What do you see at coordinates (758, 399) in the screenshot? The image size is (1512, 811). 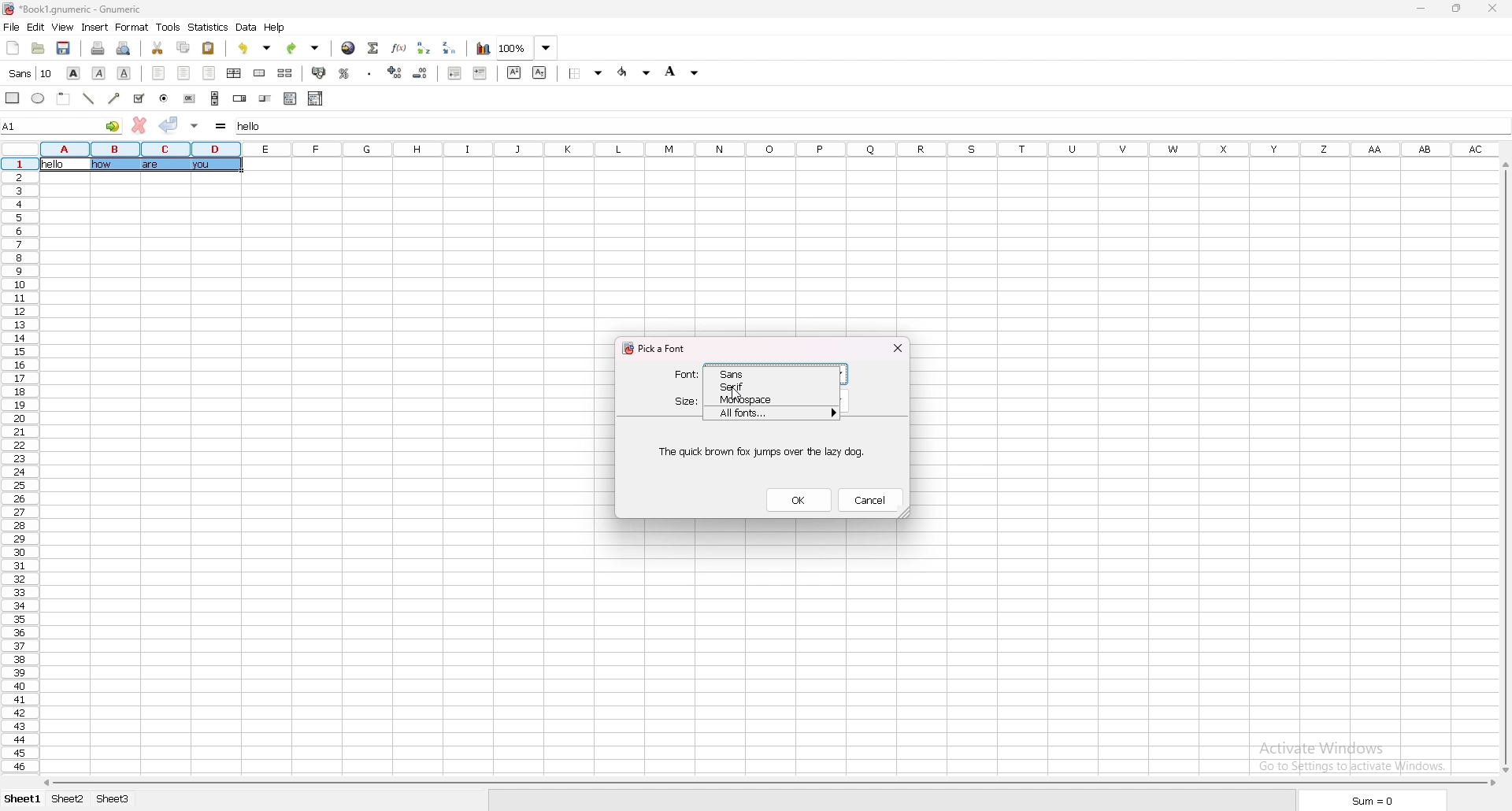 I see `monospace` at bounding box center [758, 399].